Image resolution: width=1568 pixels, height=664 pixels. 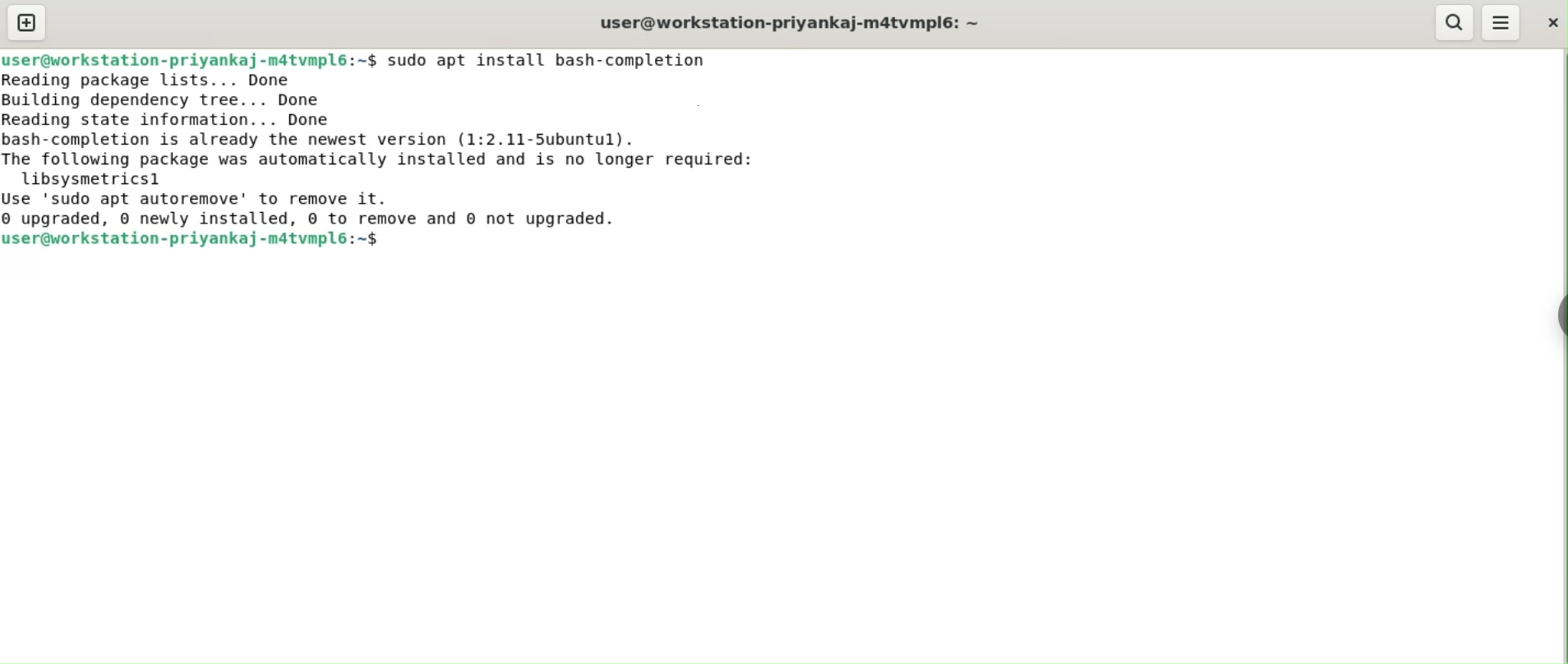 I want to click on -$ sudo apt install bash-completion, so click(x=541, y=62).